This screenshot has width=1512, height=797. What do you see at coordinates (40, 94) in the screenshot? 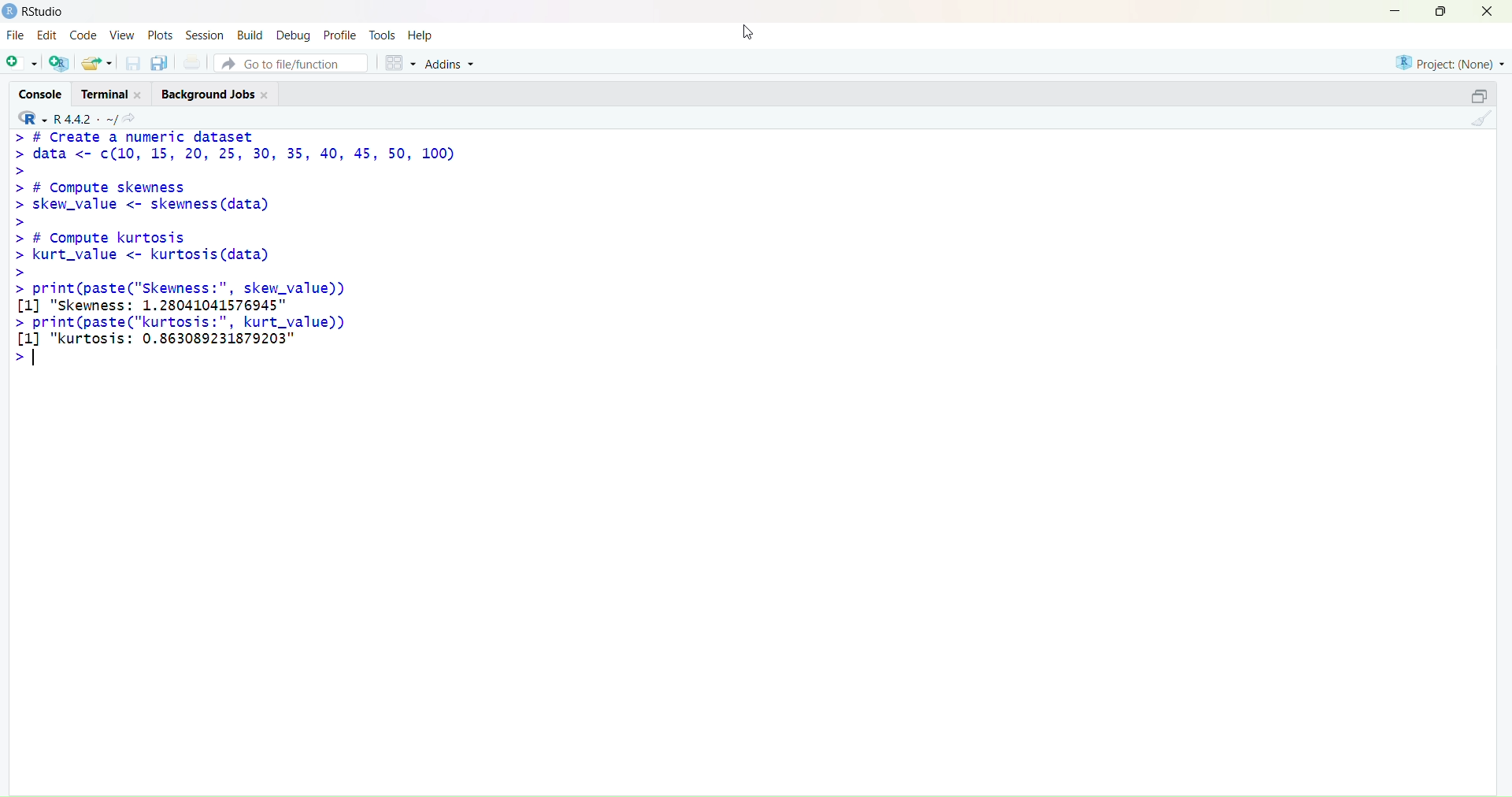
I see `Console` at bounding box center [40, 94].